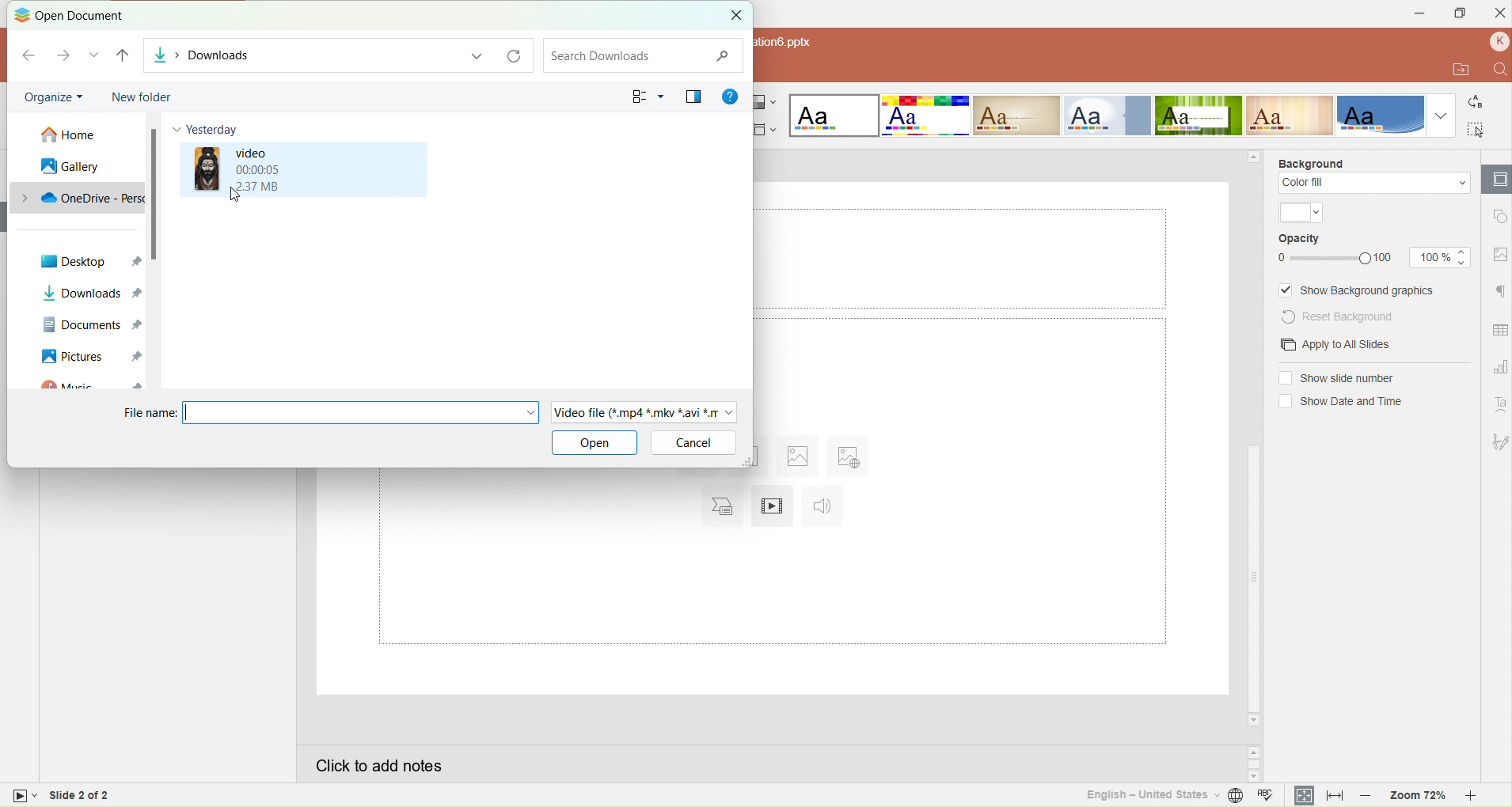 This screenshot has height=807, width=1512. Describe the element at coordinates (1268, 795) in the screenshot. I see `Spell checking` at that location.